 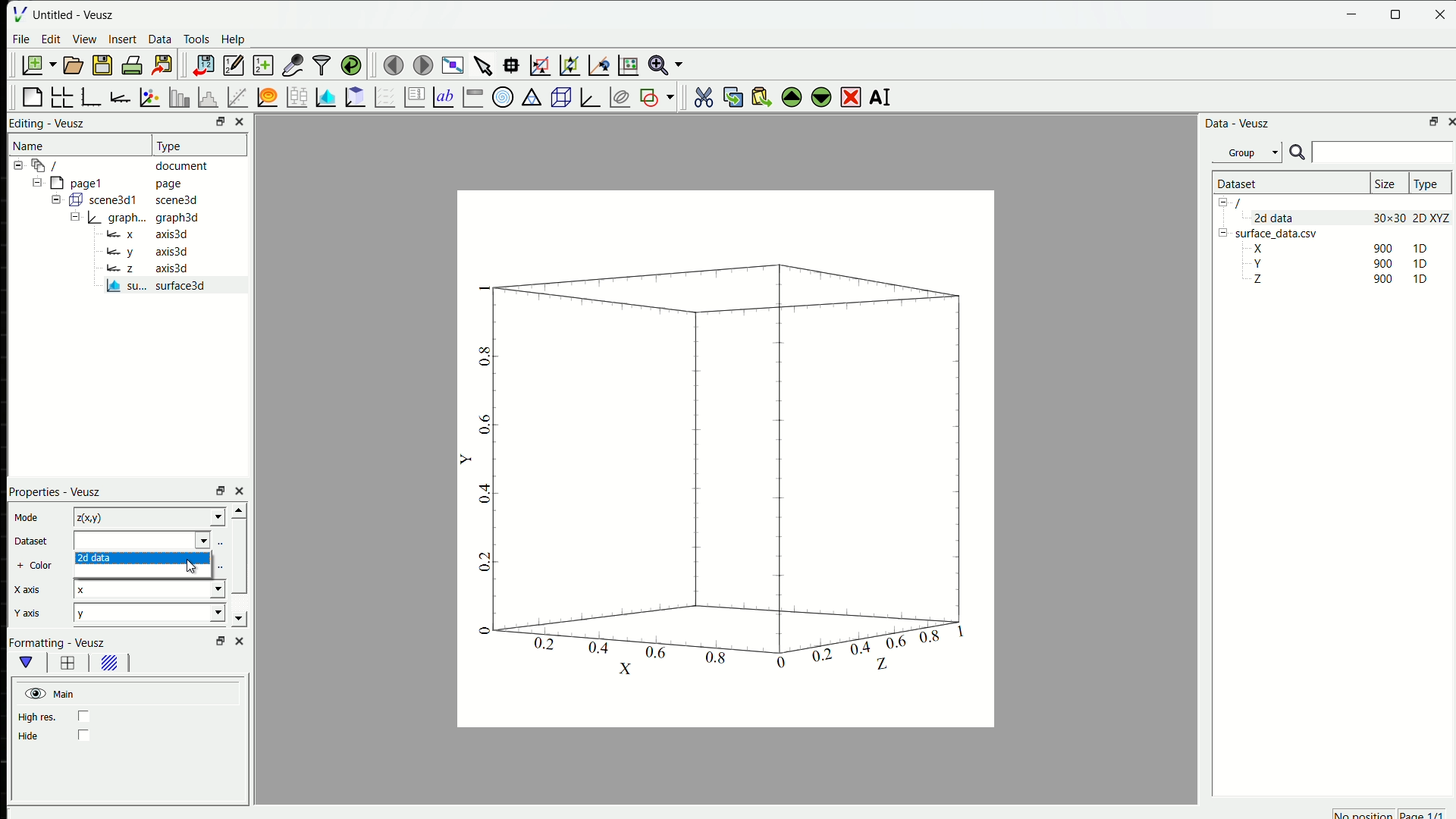 What do you see at coordinates (36, 182) in the screenshot?
I see `Collapse /expand` at bounding box center [36, 182].